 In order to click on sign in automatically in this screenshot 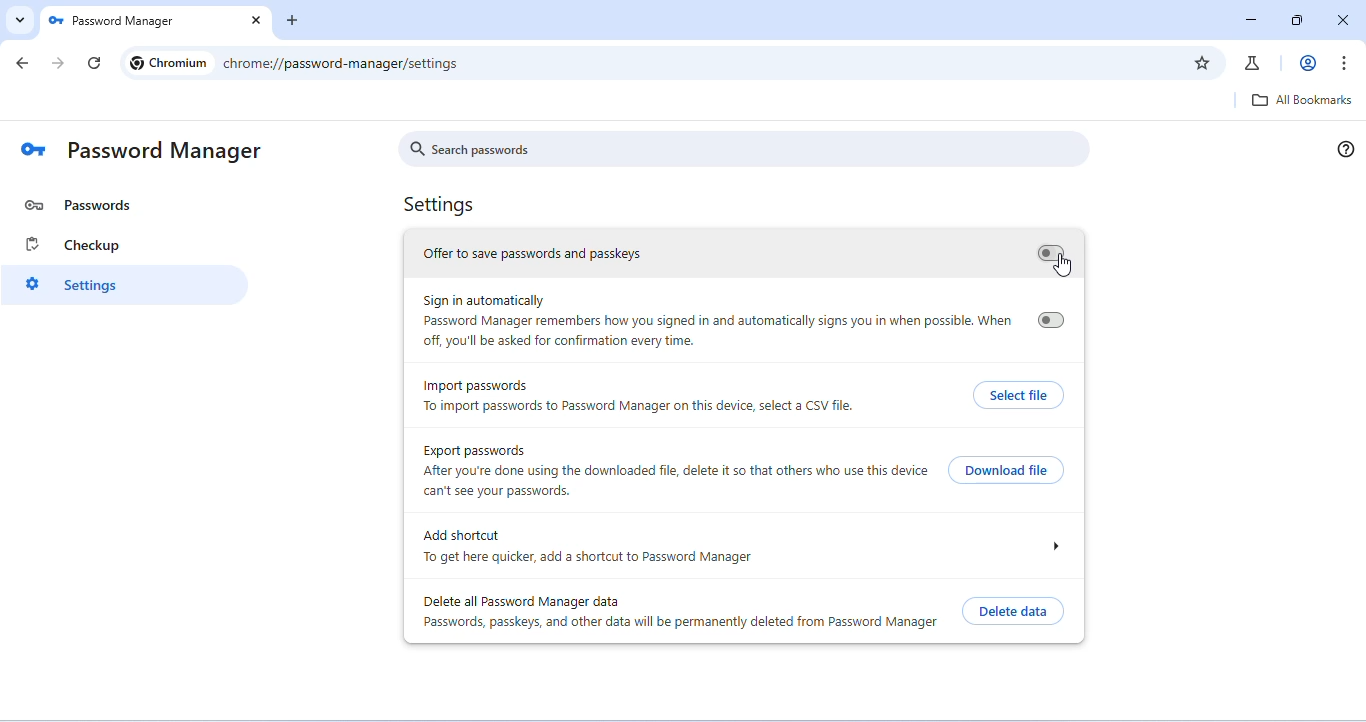, I will do `click(487, 302)`.